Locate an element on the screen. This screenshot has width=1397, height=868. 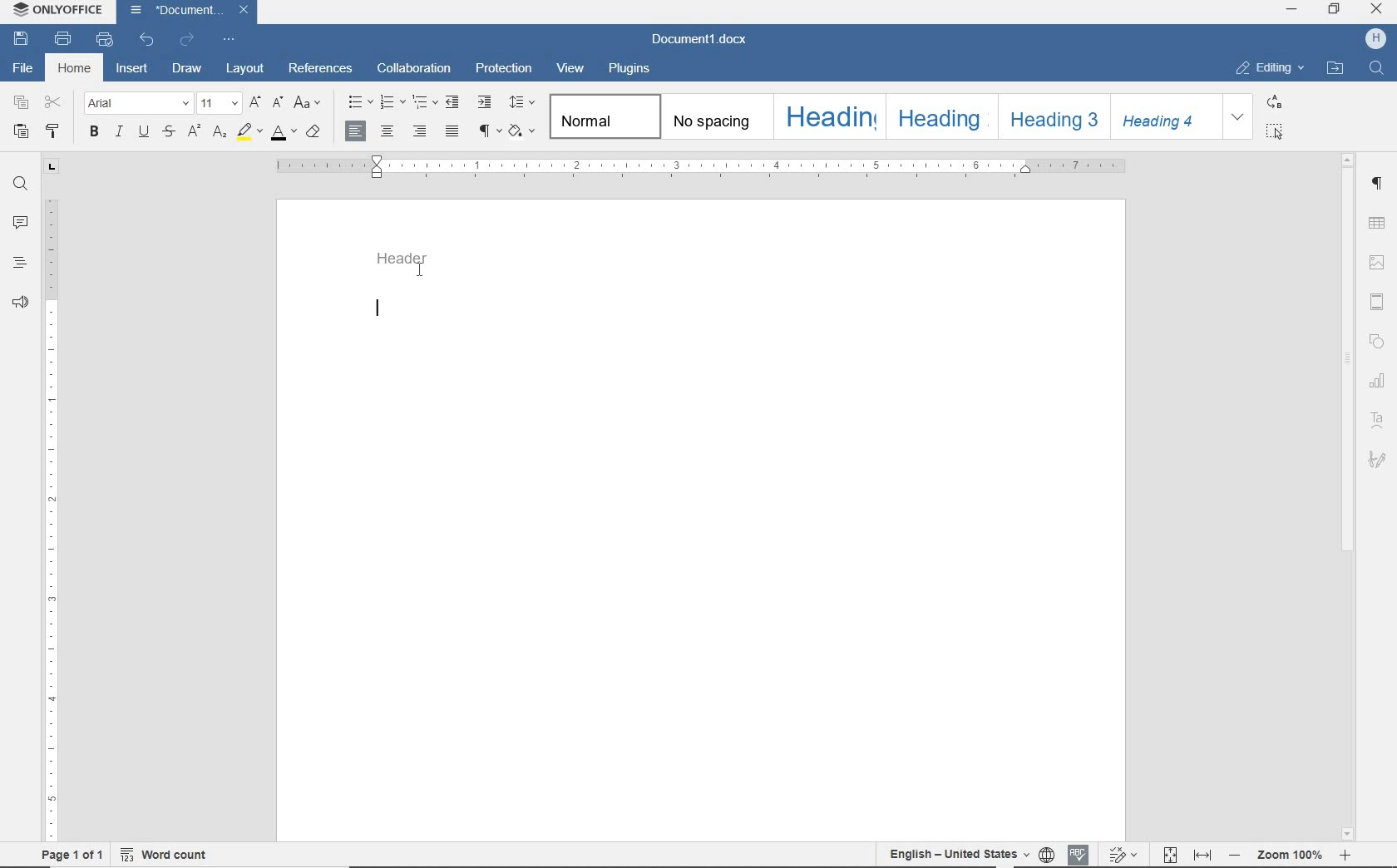
Increase  is located at coordinates (1345, 855).